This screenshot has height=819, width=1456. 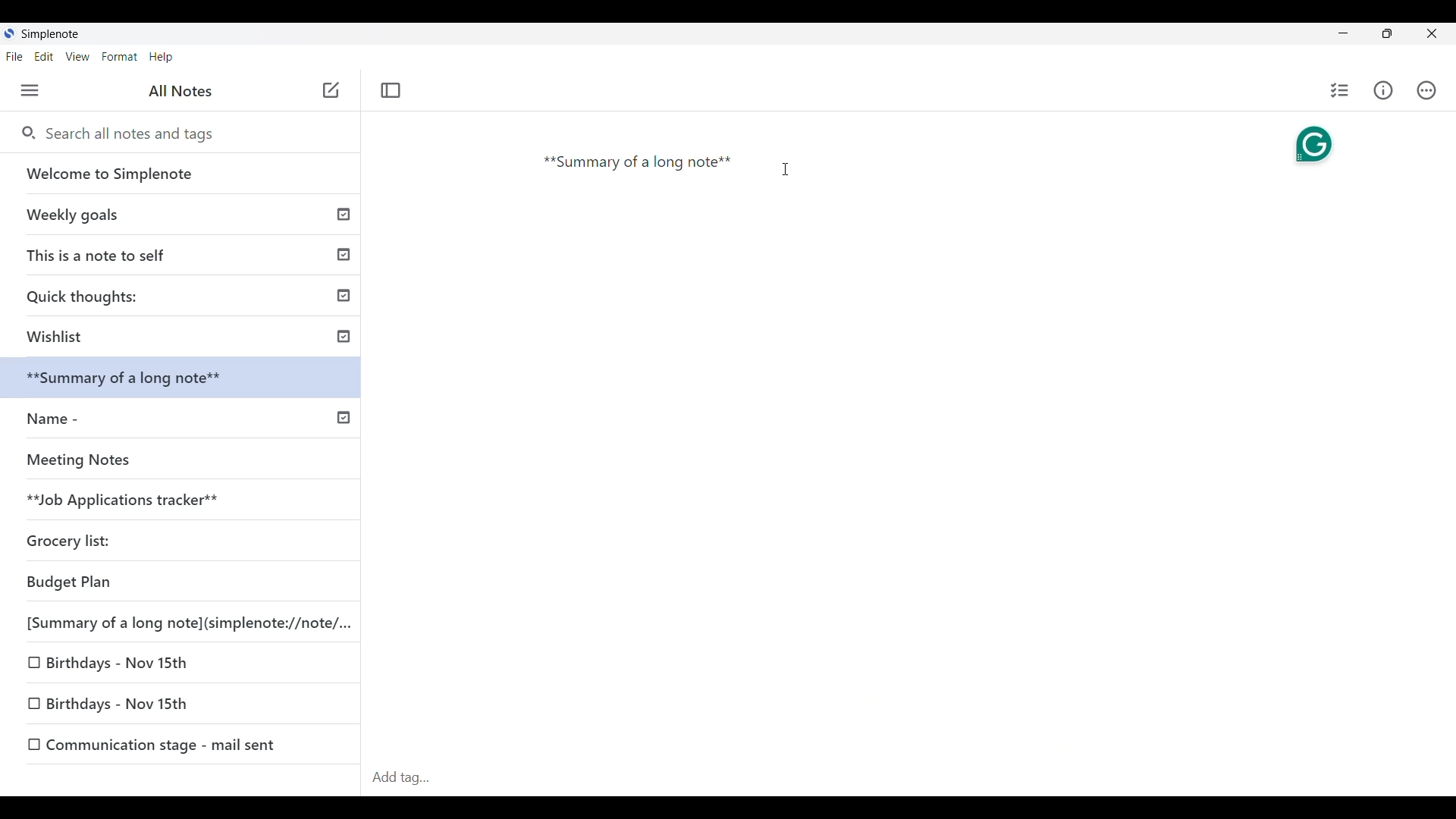 What do you see at coordinates (182, 174) in the screenshot?
I see `Welcome to Simplenote` at bounding box center [182, 174].